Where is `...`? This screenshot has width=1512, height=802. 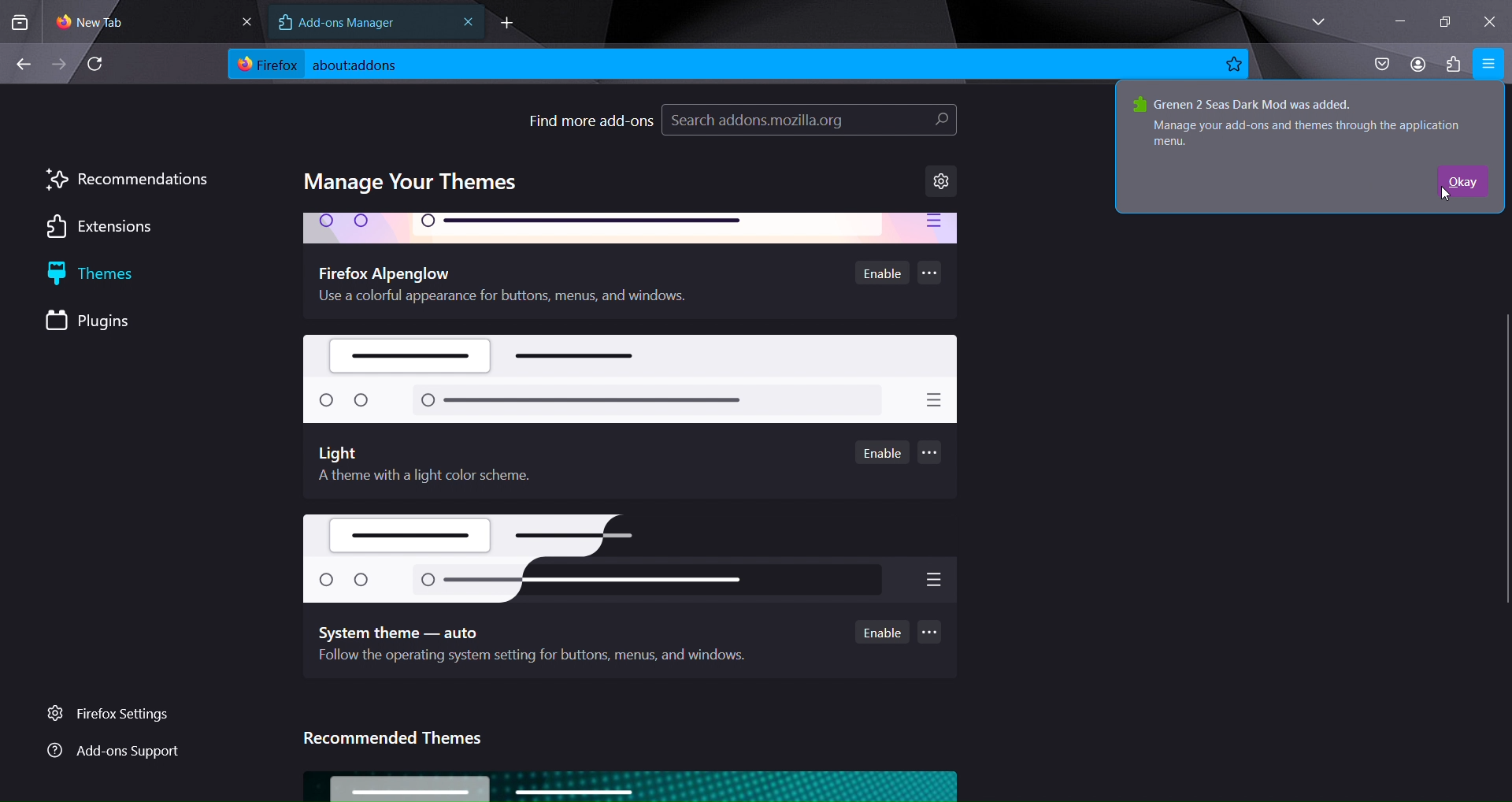
... is located at coordinates (930, 272).